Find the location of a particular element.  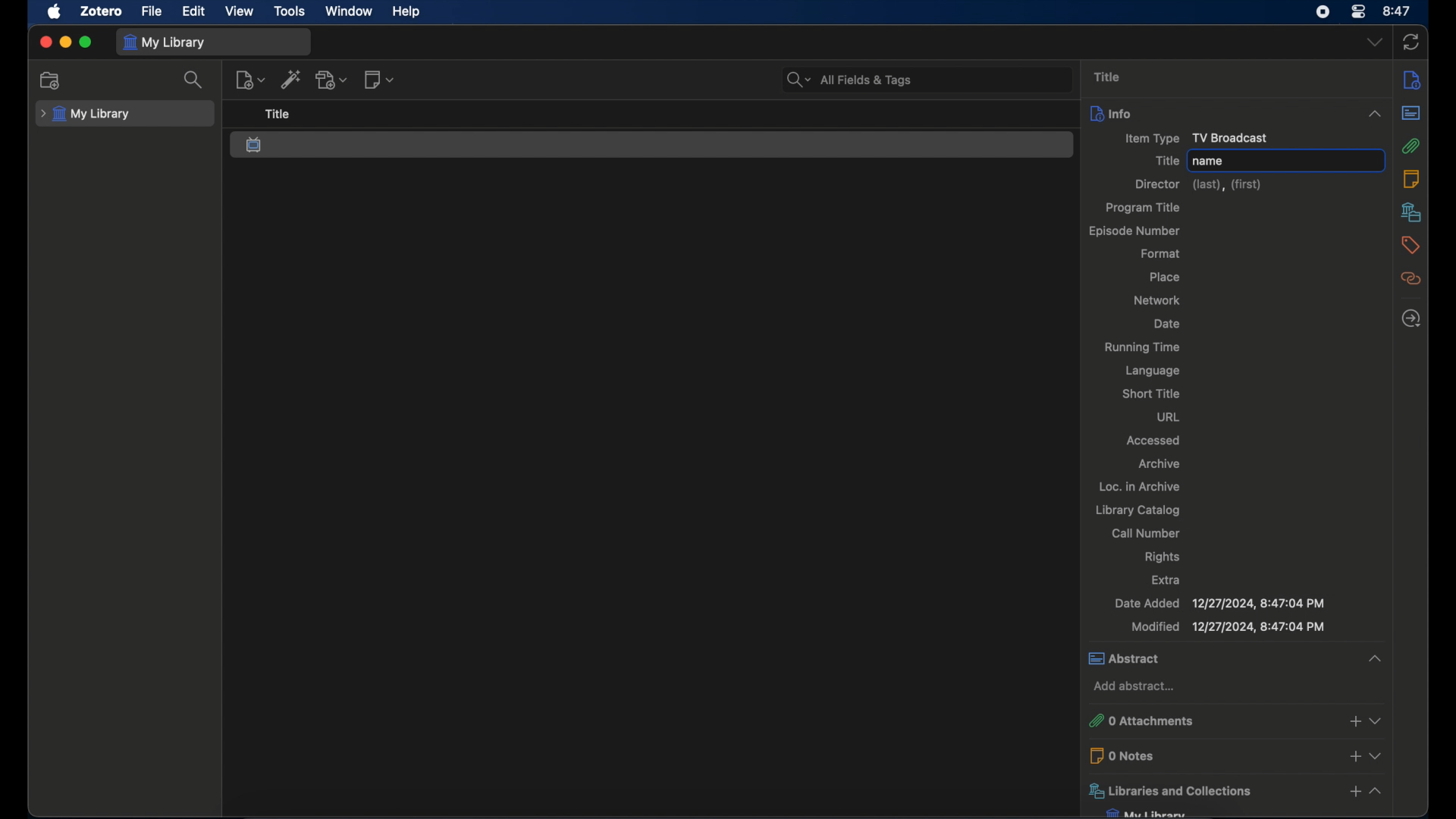

archive is located at coordinates (1160, 464).